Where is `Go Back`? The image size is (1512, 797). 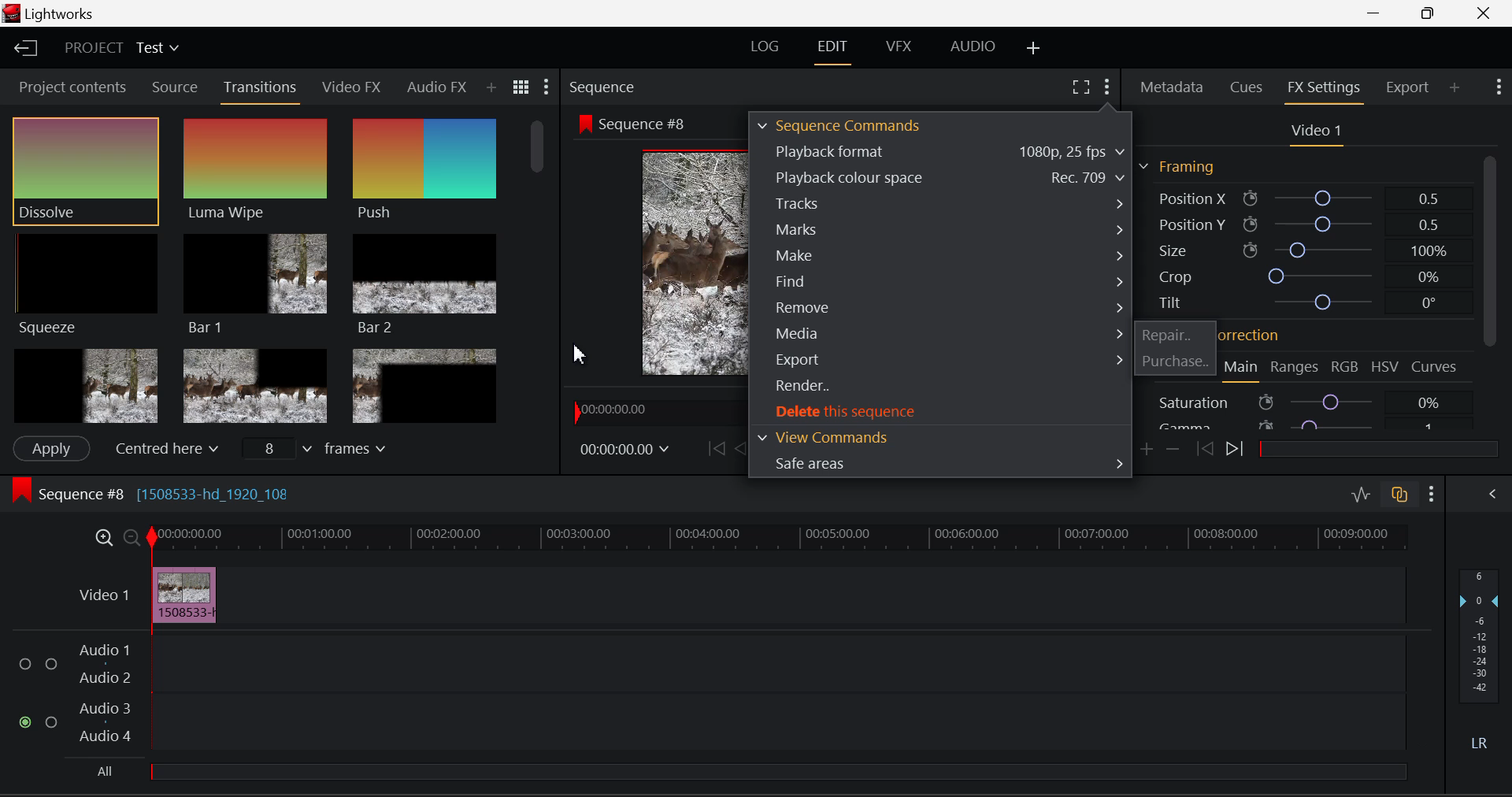 Go Back is located at coordinates (742, 448).